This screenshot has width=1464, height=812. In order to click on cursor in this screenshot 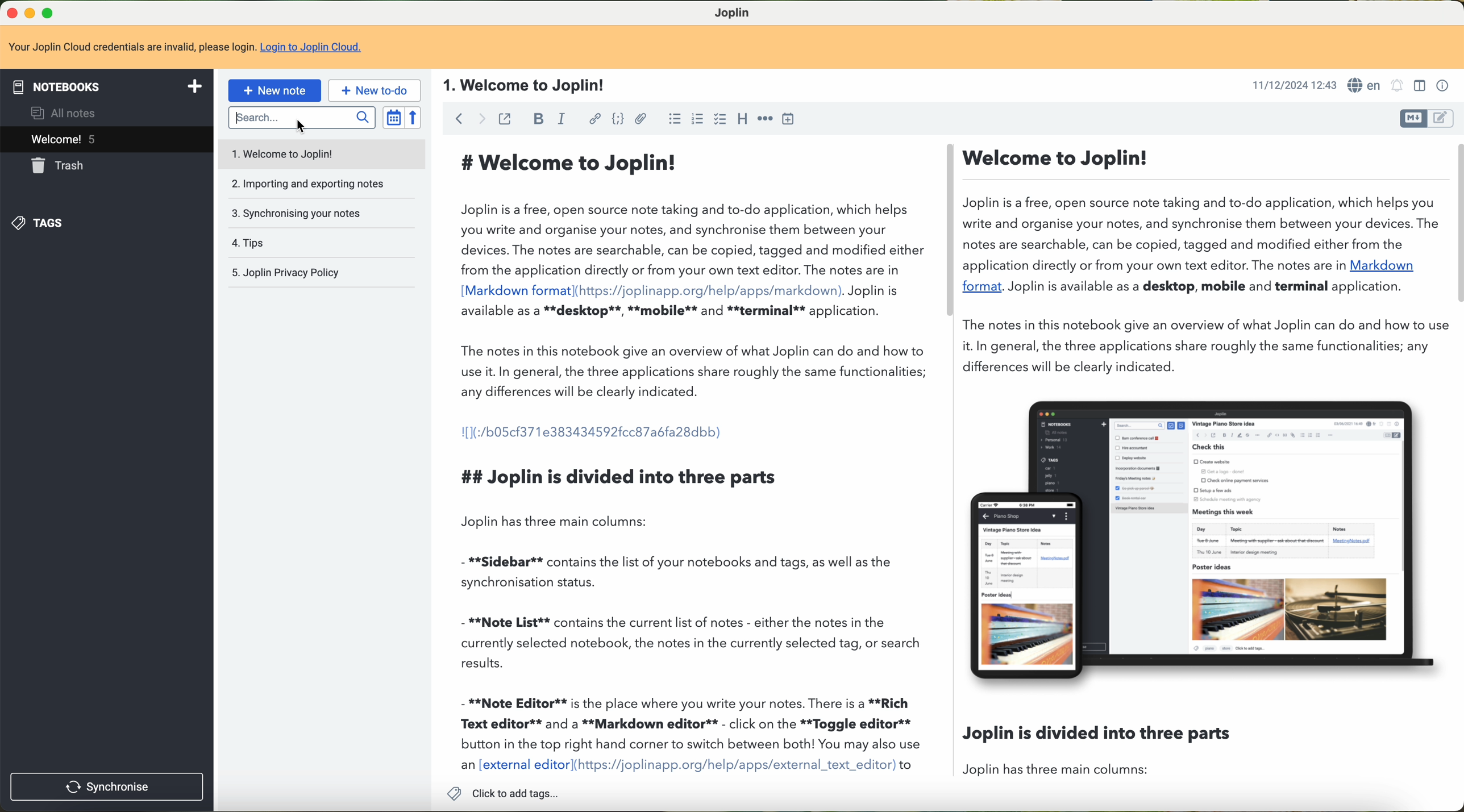, I will do `click(303, 126)`.